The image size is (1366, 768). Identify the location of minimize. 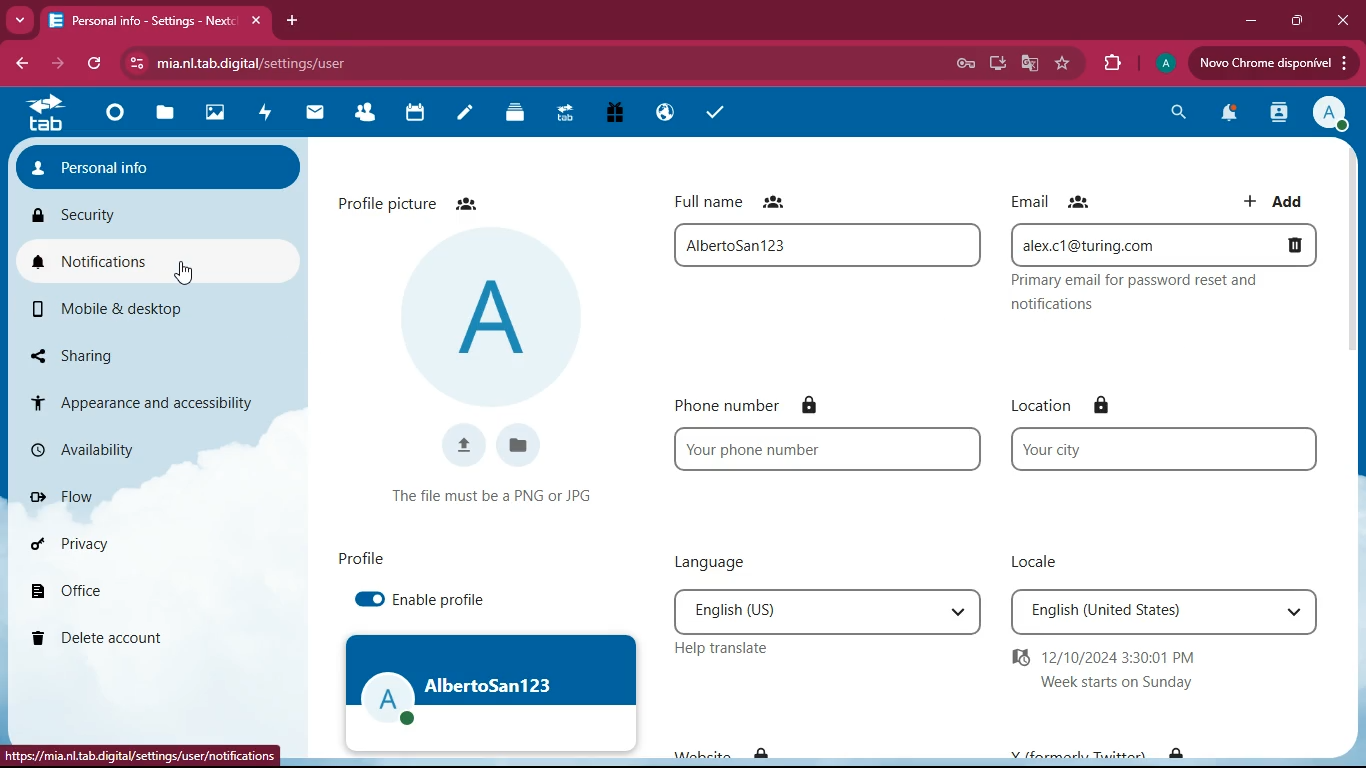
(1249, 20).